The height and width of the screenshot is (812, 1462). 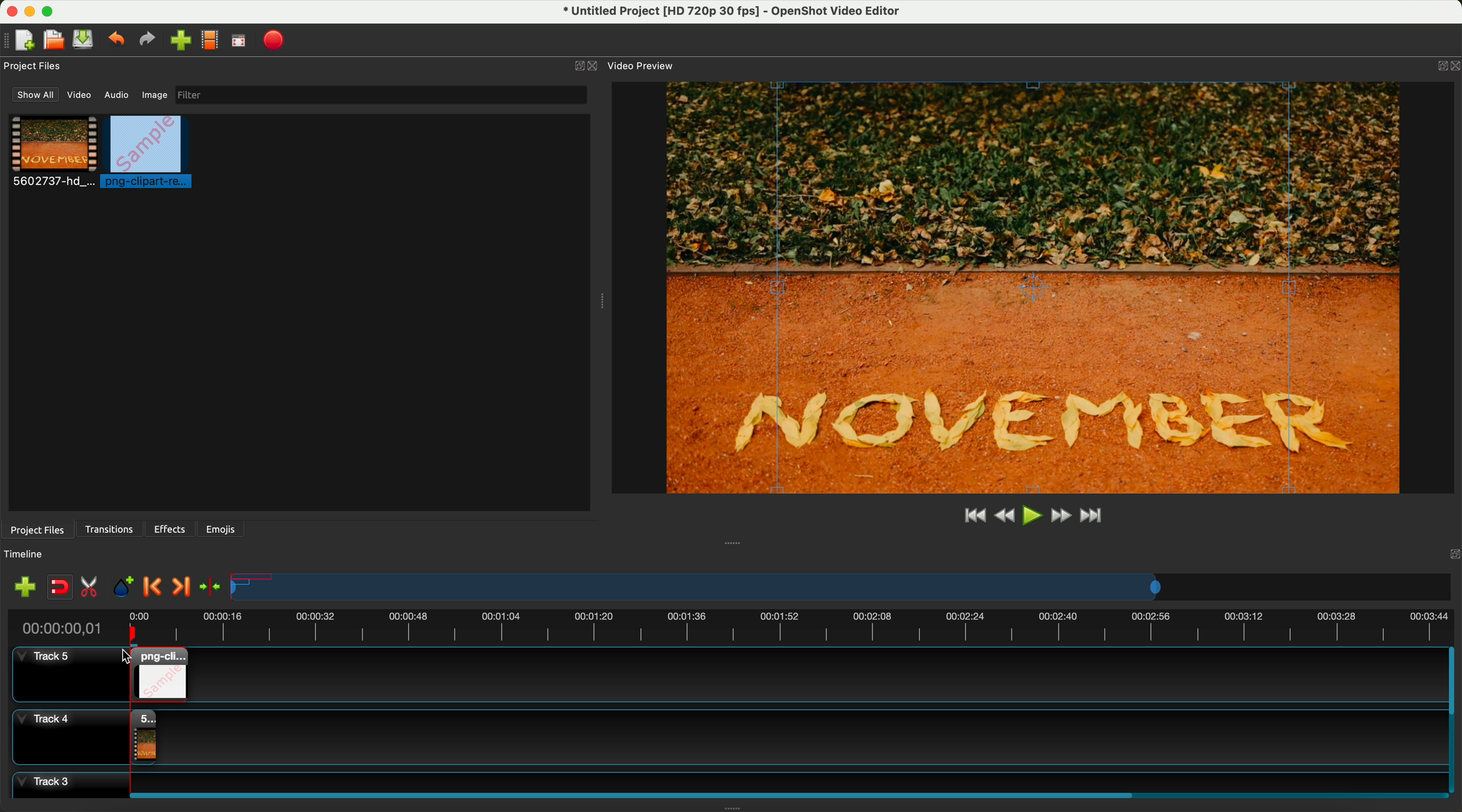 What do you see at coordinates (111, 529) in the screenshot?
I see `transitions` at bounding box center [111, 529].